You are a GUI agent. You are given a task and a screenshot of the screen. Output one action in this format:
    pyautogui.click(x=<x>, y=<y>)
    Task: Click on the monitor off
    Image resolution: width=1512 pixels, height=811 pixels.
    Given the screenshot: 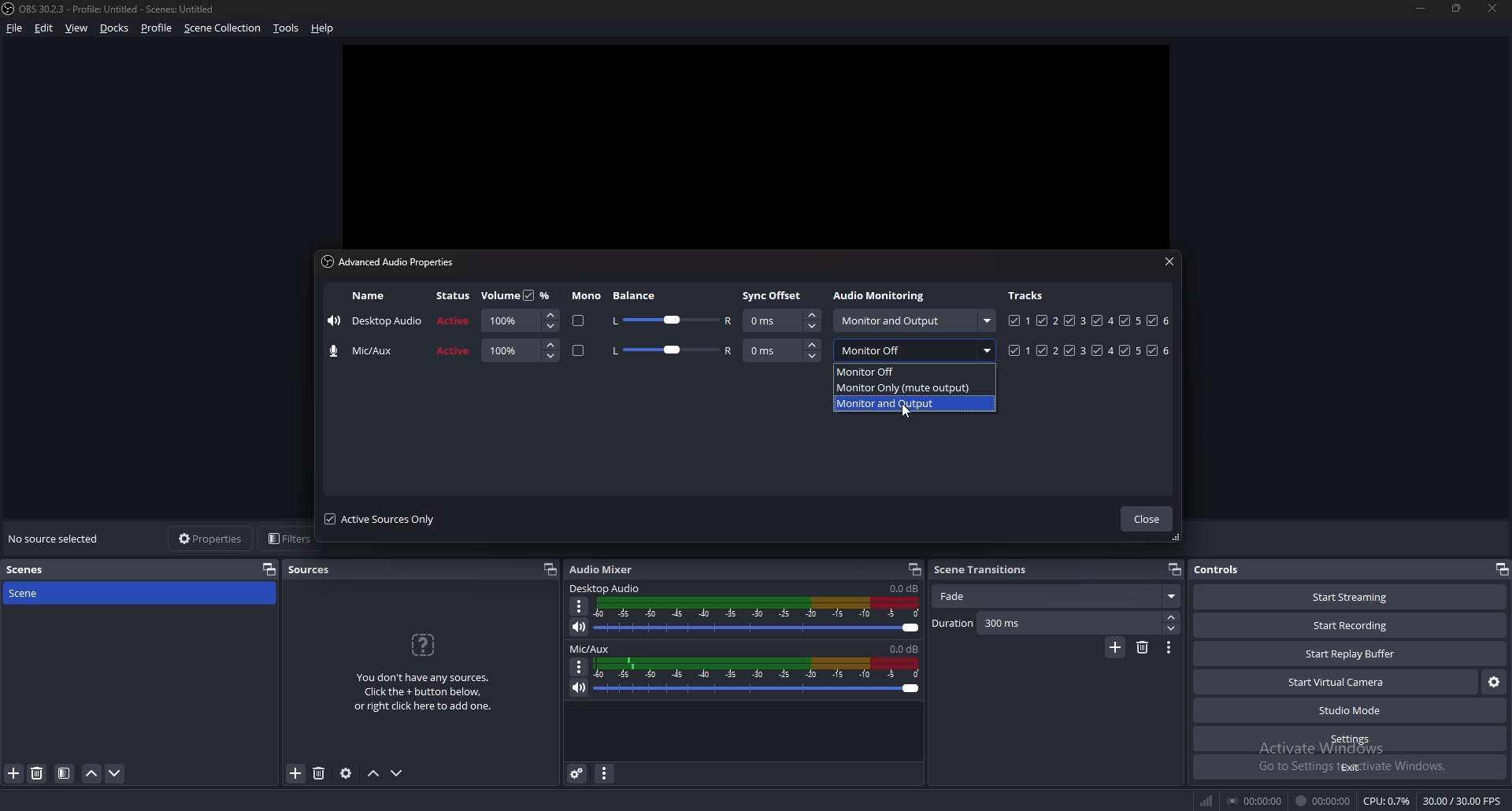 What is the action you would take?
    pyautogui.click(x=913, y=372)
    